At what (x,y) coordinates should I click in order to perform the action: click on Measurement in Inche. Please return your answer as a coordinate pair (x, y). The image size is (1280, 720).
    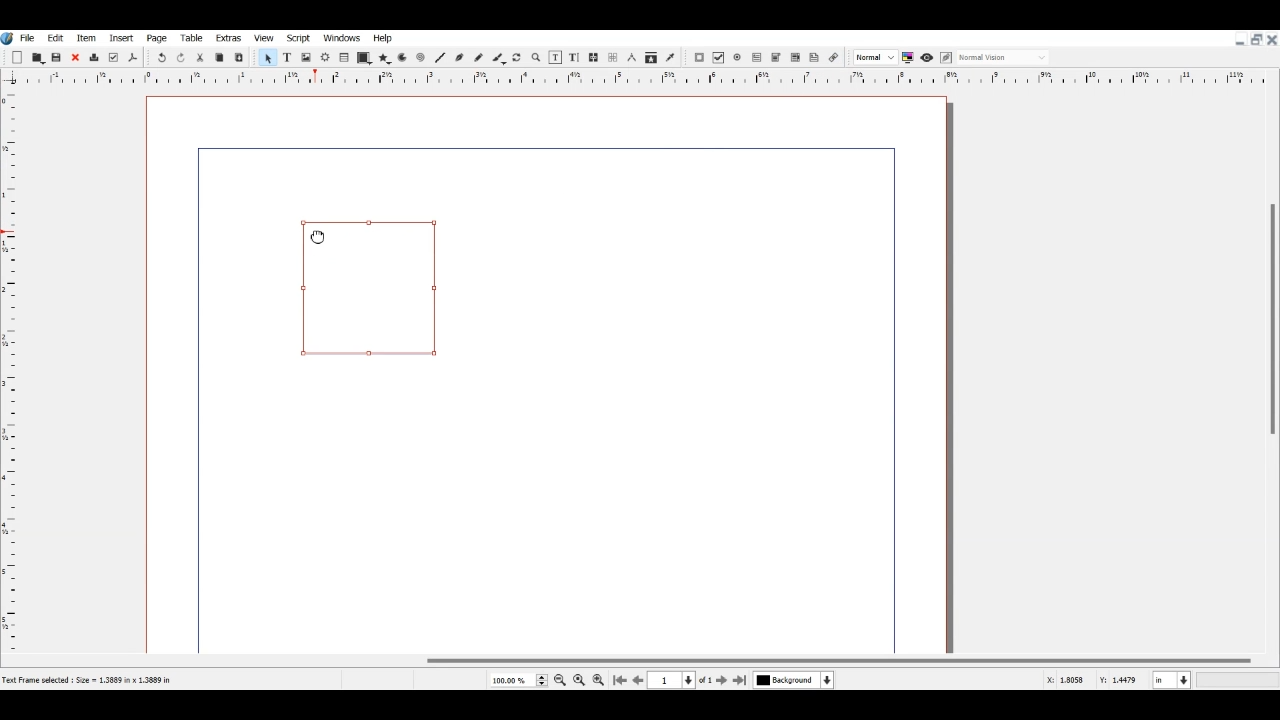
    Looking at the image, I should click on (1172, 680).